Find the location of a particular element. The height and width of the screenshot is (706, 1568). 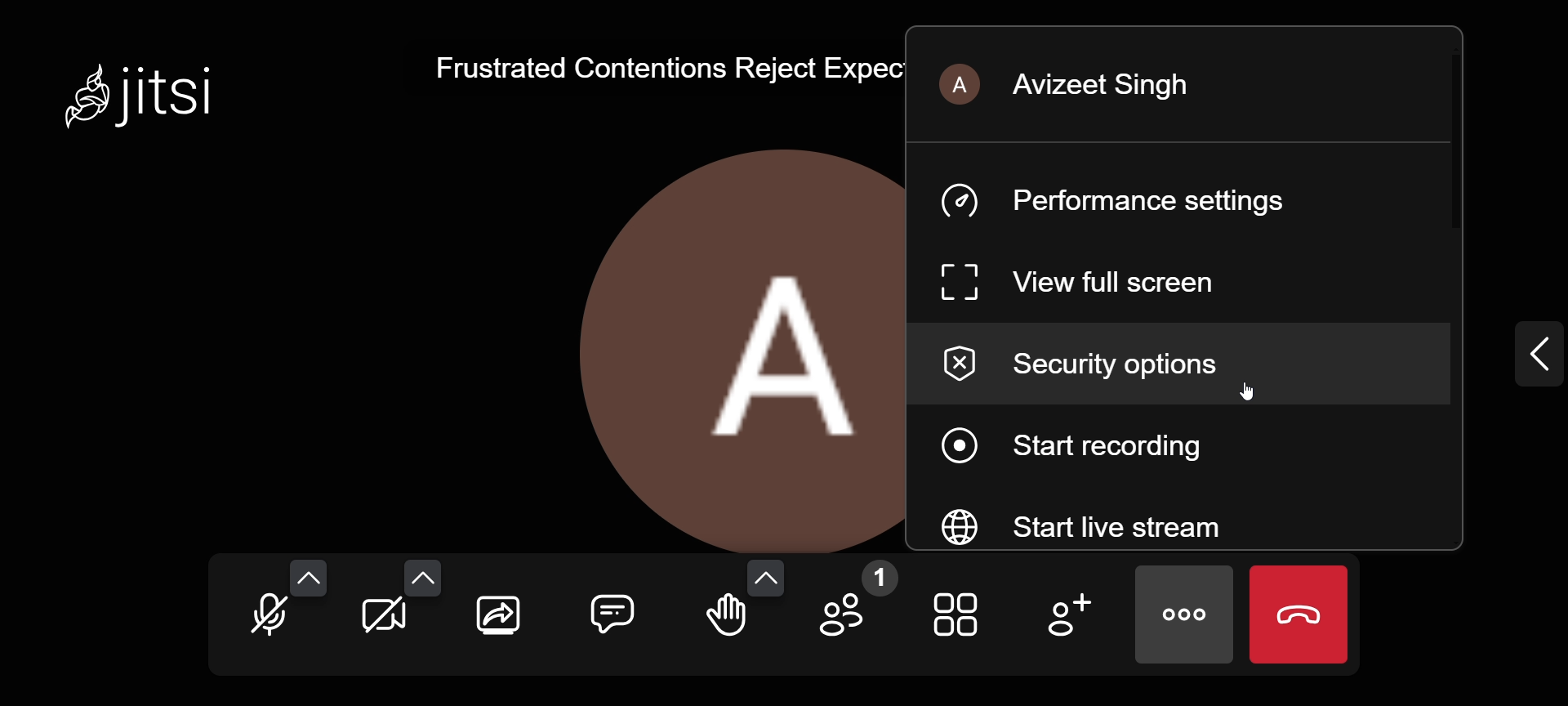

performance setting is located at coordinates (1125, 201).